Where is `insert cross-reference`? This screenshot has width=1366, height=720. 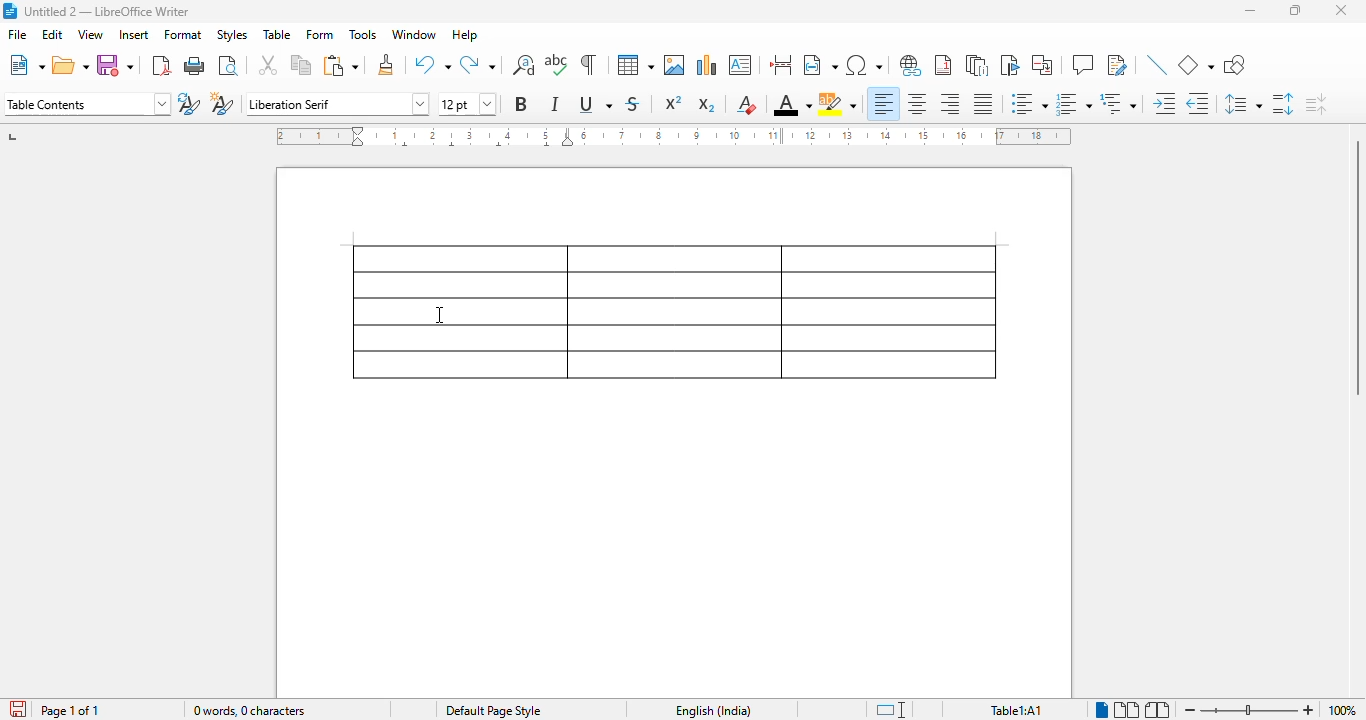 insert cross-reference is located at coordinates (1042, 64).